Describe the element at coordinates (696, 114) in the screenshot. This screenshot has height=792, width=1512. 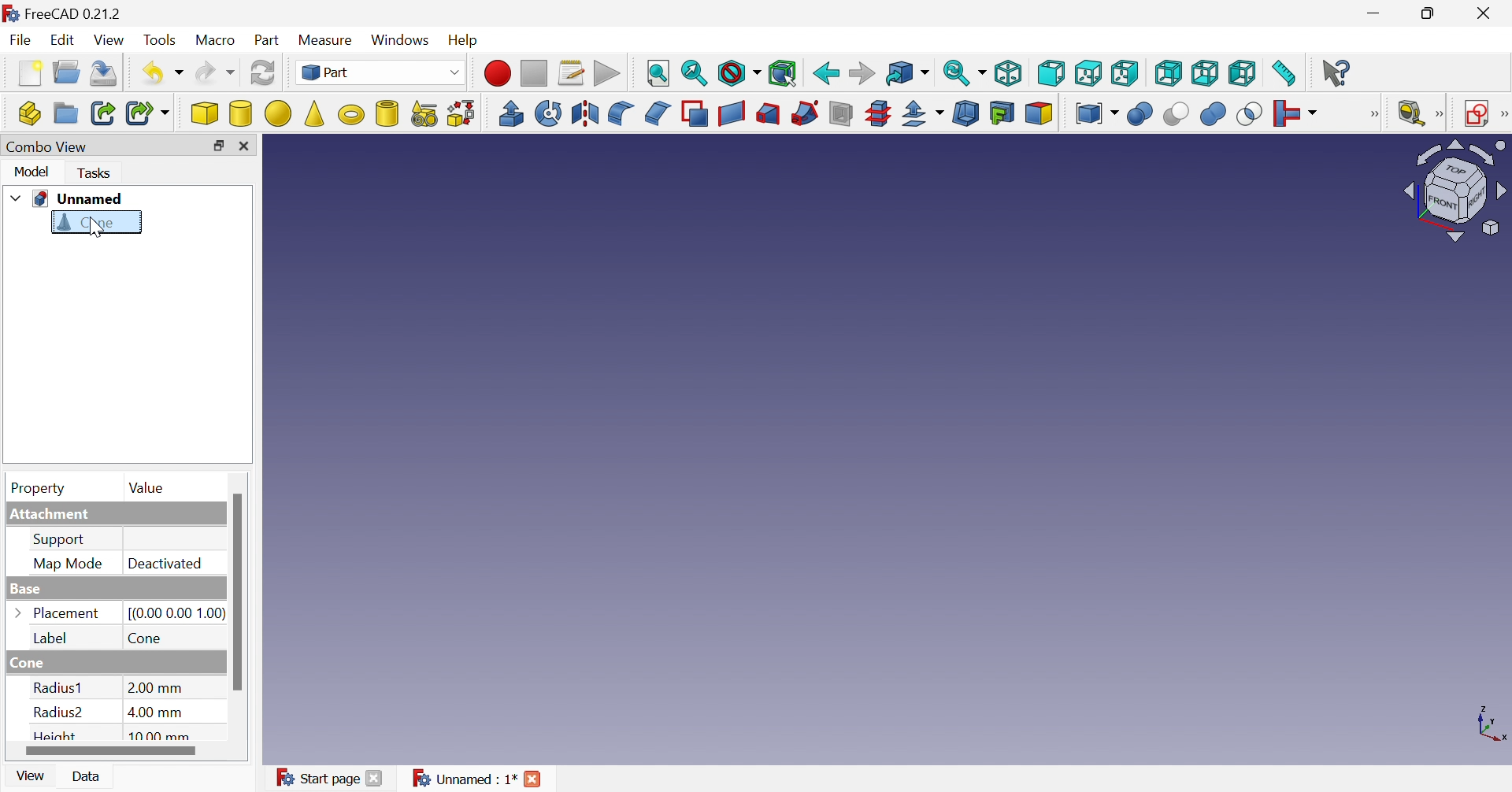
I see `Make face from wires` at that location.